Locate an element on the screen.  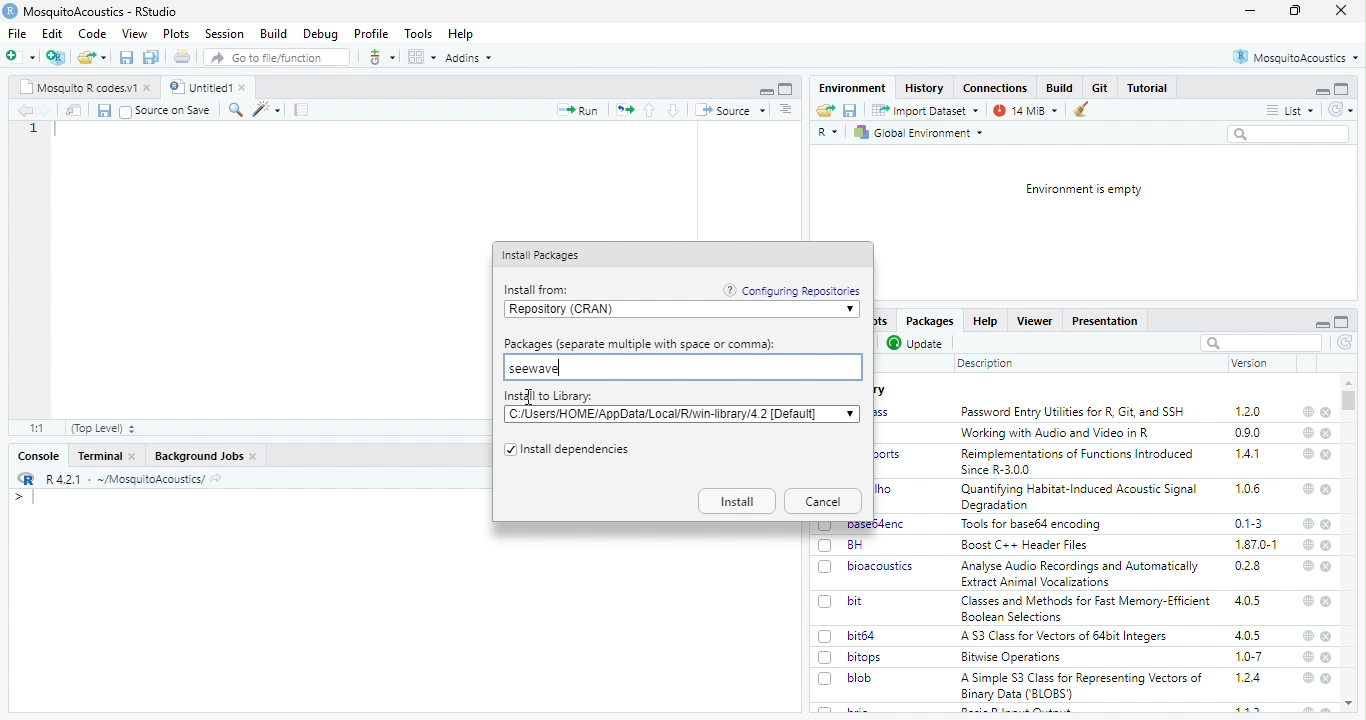
C:/Users/HOME/AppData/Local/R/win-library/4.2 [Default] is located at coordinates (668, 414).